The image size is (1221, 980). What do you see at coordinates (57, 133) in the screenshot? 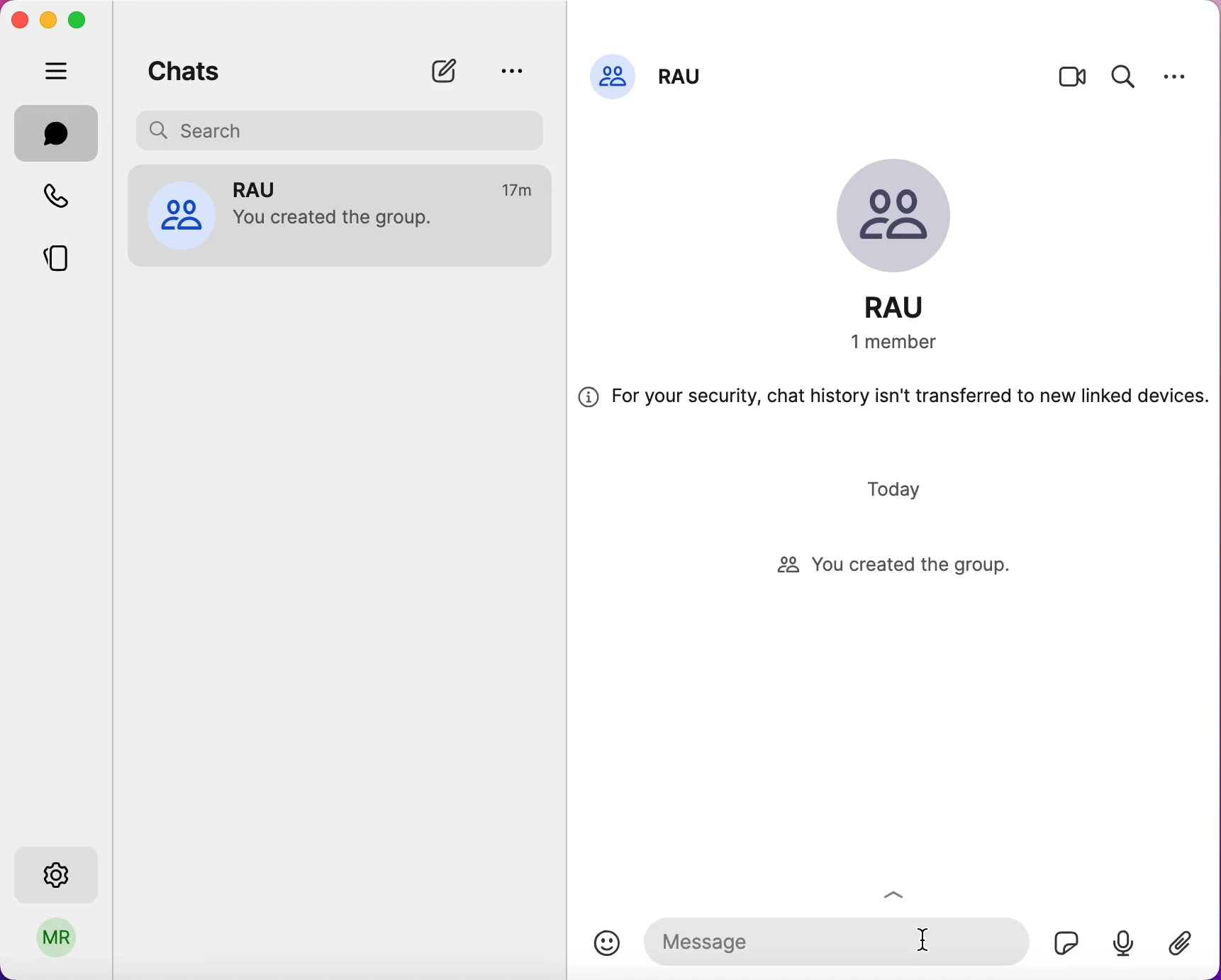
I see `chats` at bounding box center [57, 133].